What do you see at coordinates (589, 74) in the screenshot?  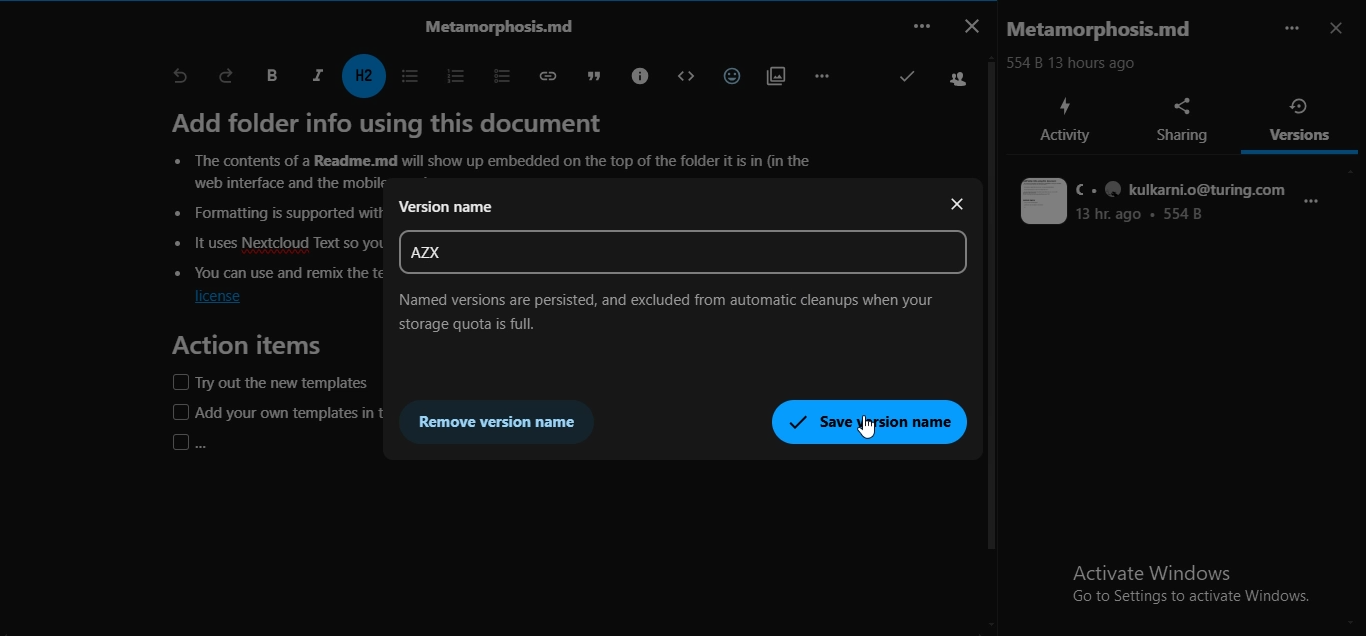 I see `blockquote` at bounding box center [589, 74].